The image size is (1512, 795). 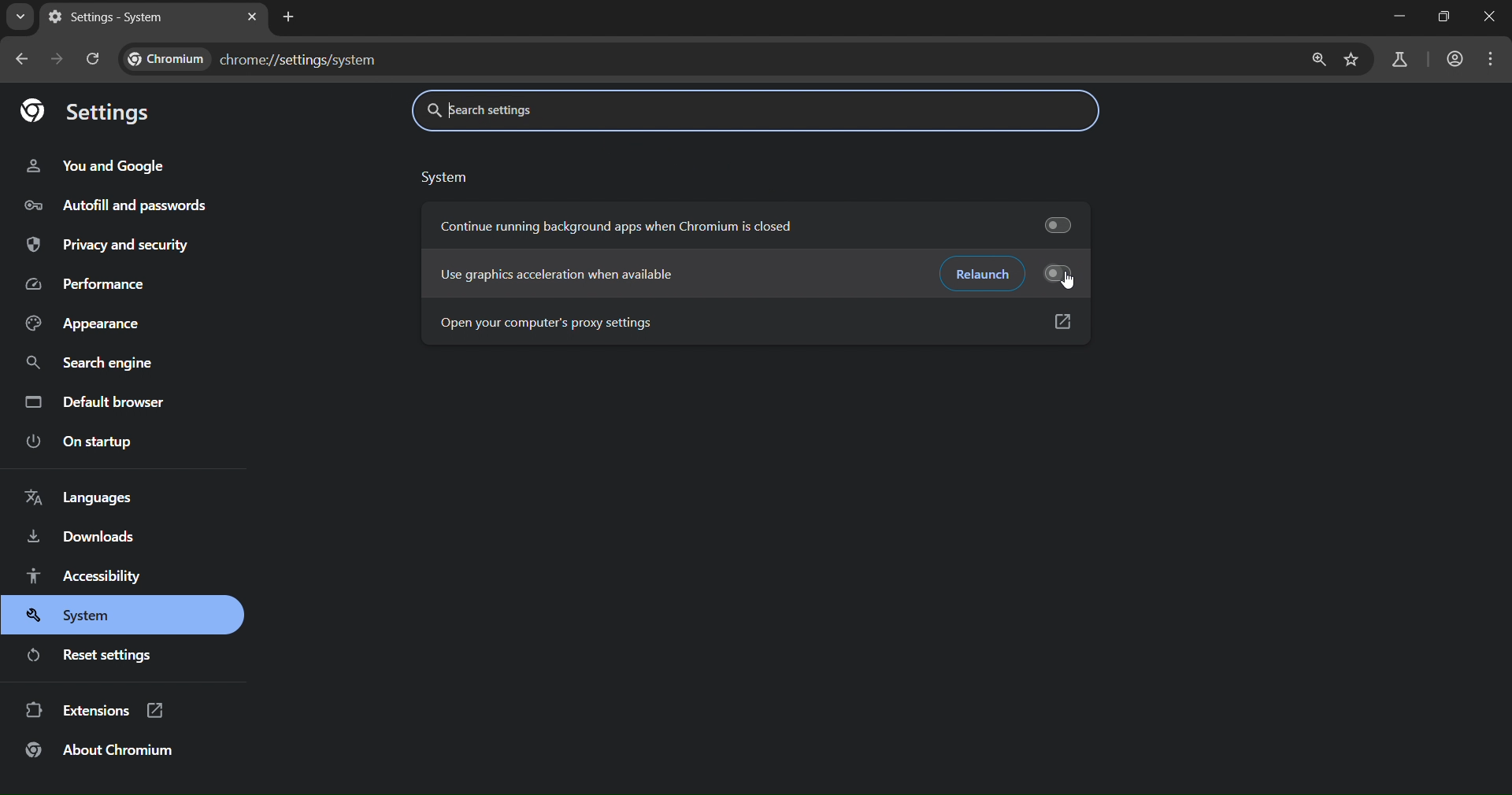 I want to click on search engine, so click(x=88, y=364).